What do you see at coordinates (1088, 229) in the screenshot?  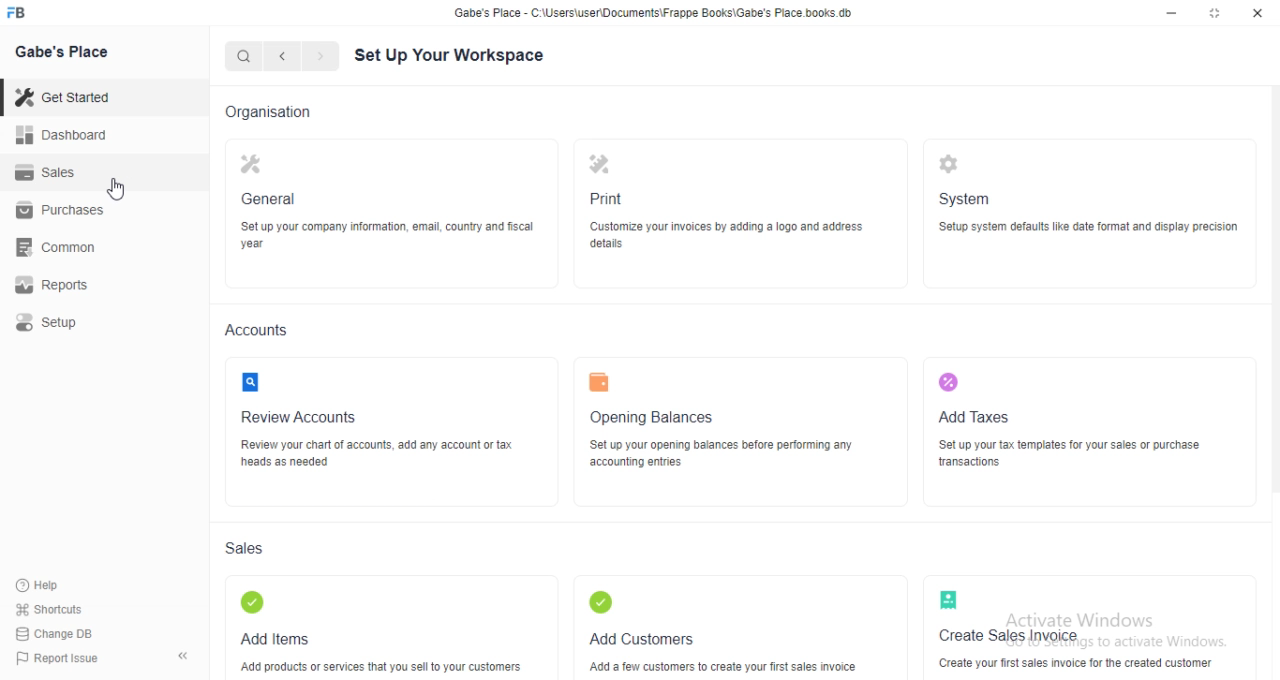 I see `‘Setup system defaults like Gate format and display precision` at bounding box center [1088, 229].